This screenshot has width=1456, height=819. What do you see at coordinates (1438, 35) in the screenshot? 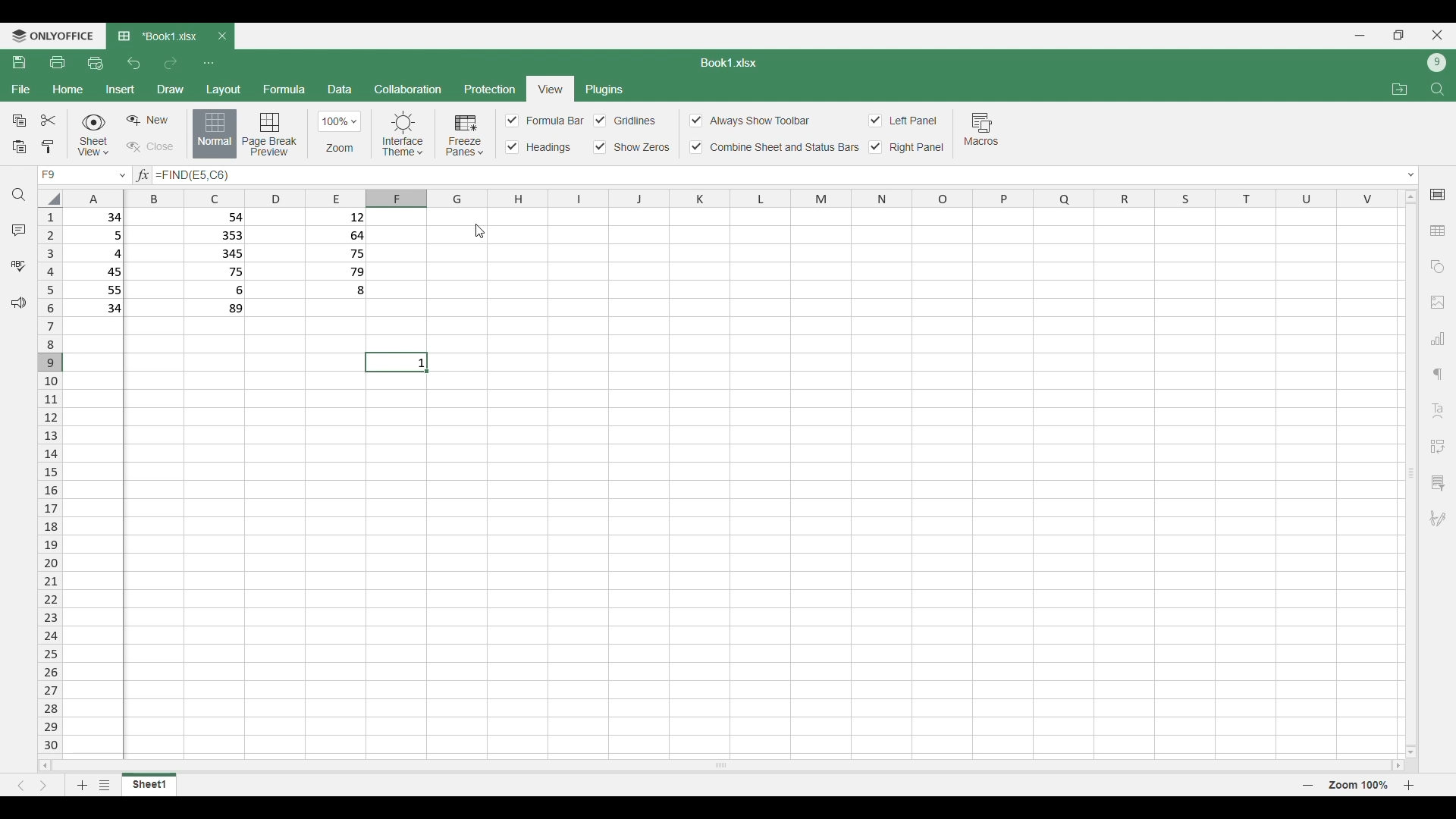
I see `Close interface` at bounding box center [1438, 35].